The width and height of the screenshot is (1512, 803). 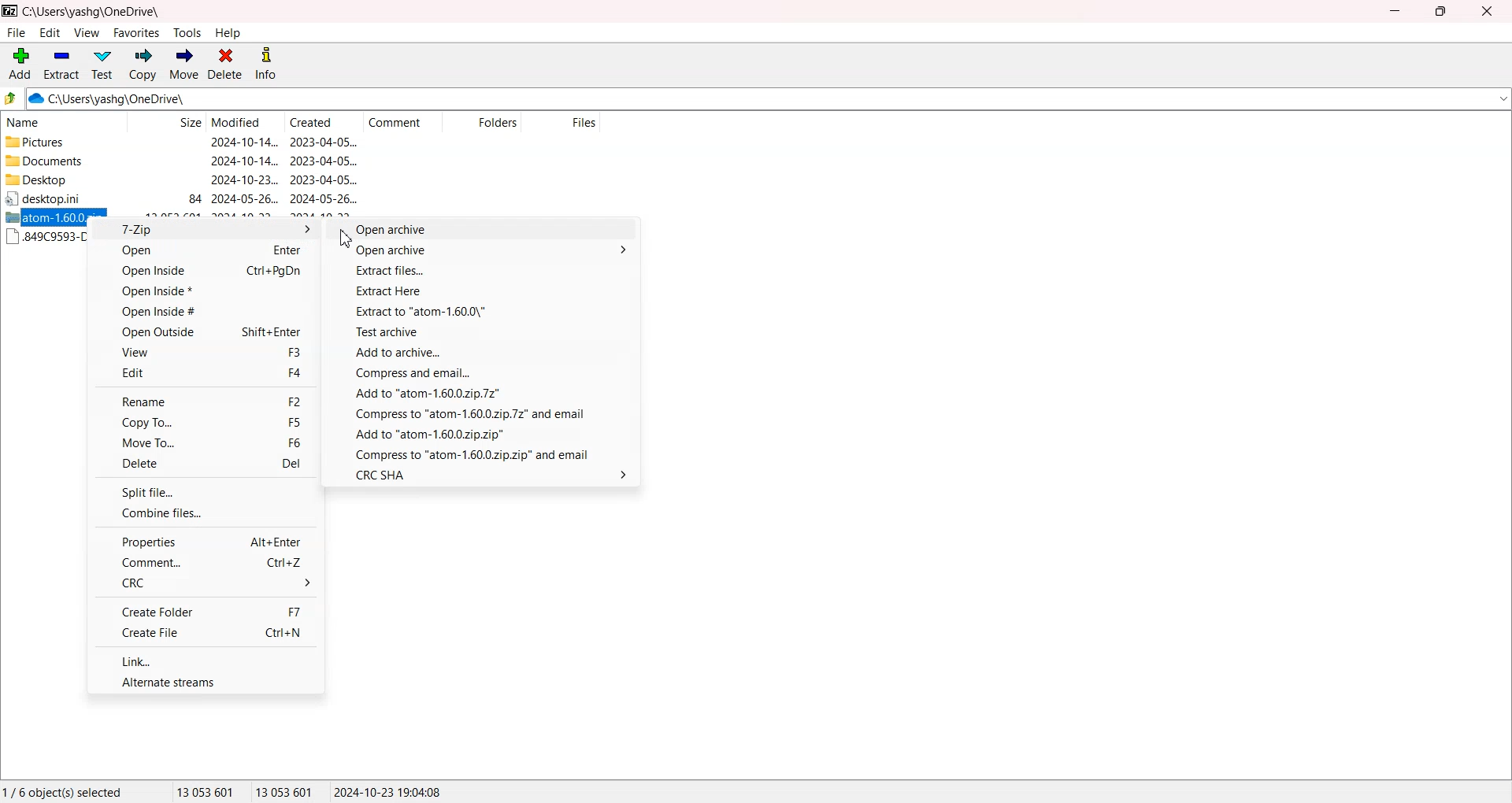 What do you see at coordinates (206, 491) in the screenshot?
I see `Split file` at bounding box center [206, 491].